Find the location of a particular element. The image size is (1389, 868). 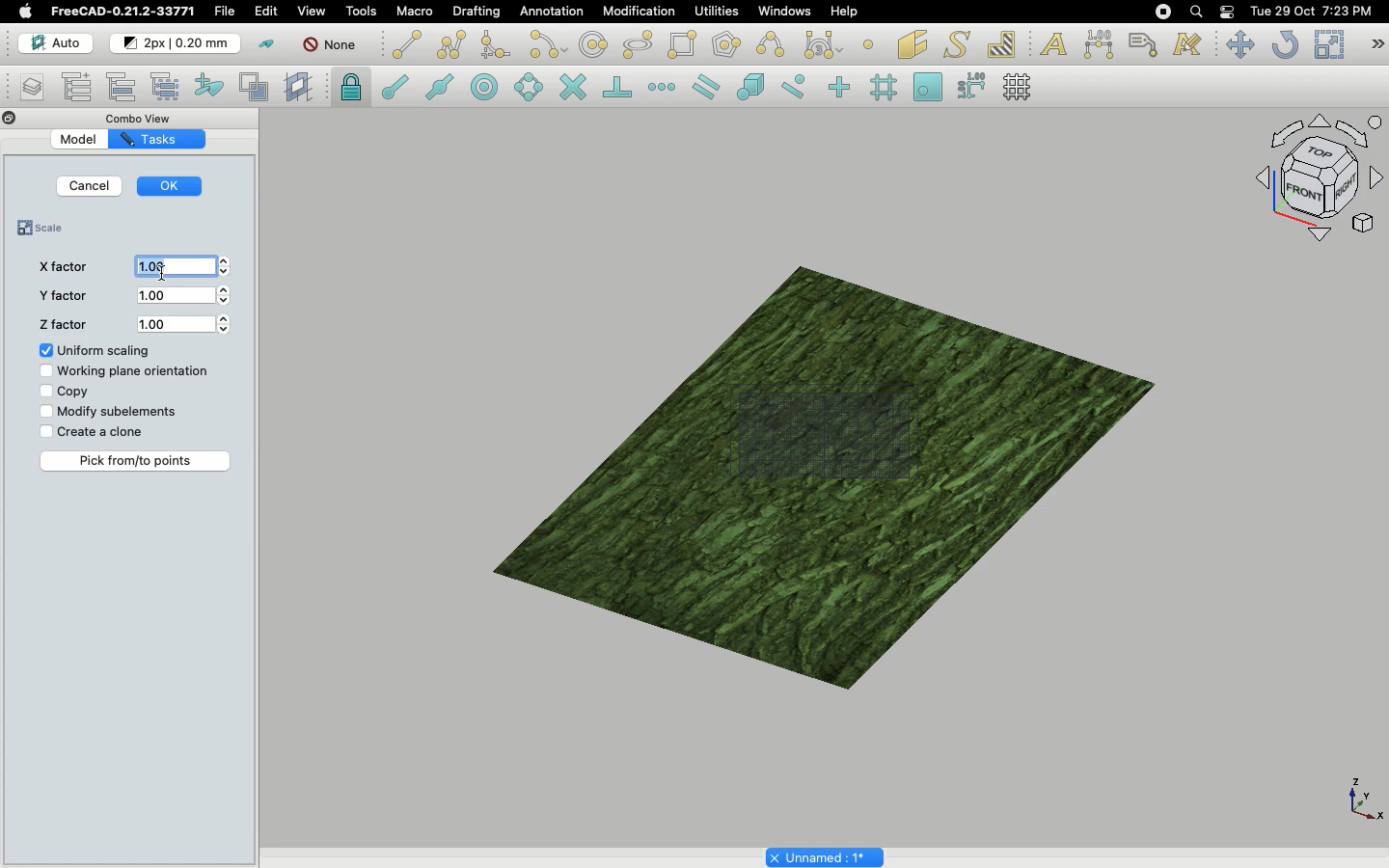

Project name is located at coordinates (825, 856).